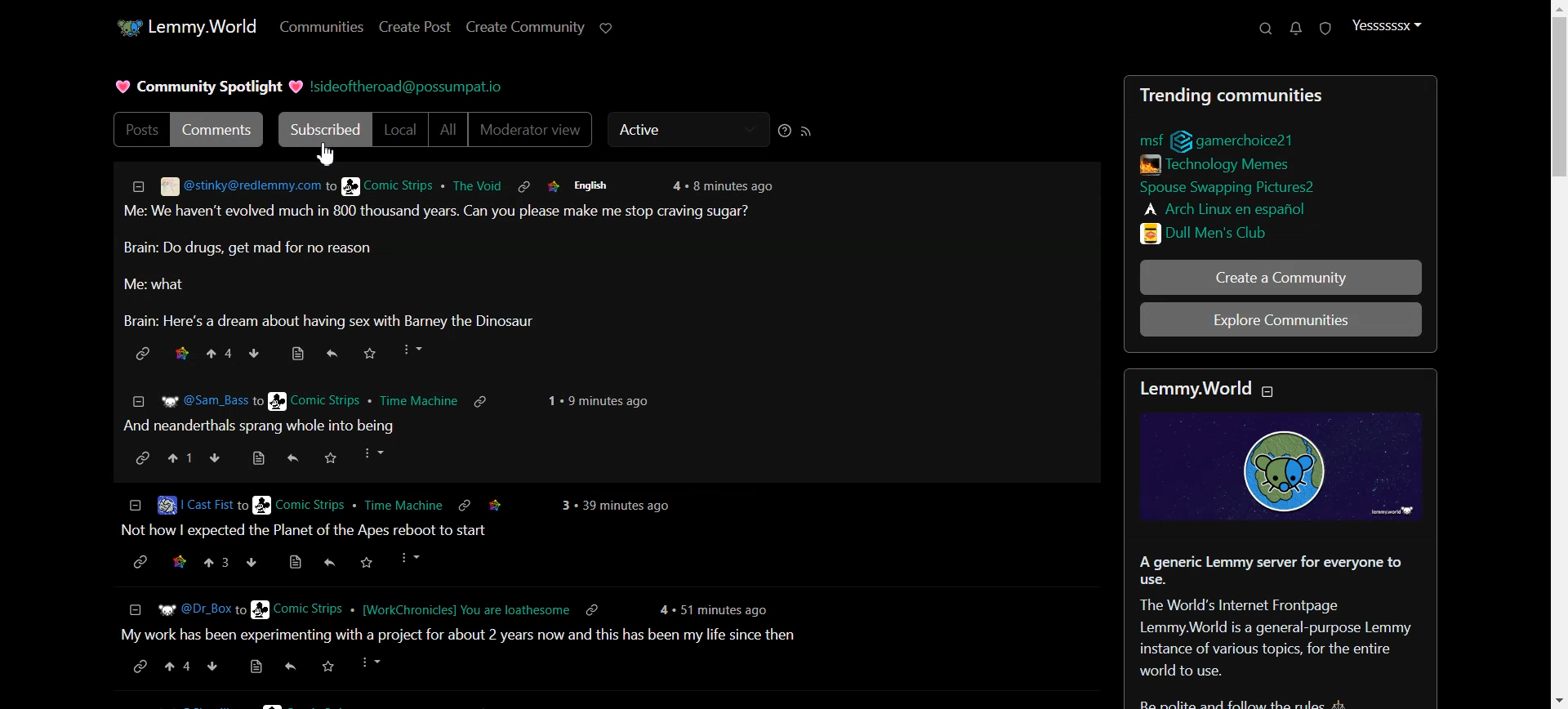 Image resolution: width=1568 pixels, height=709 pixels. Describe the element at coordinates (785, 130) in the screenshot. I see `Sorting help` at that location.